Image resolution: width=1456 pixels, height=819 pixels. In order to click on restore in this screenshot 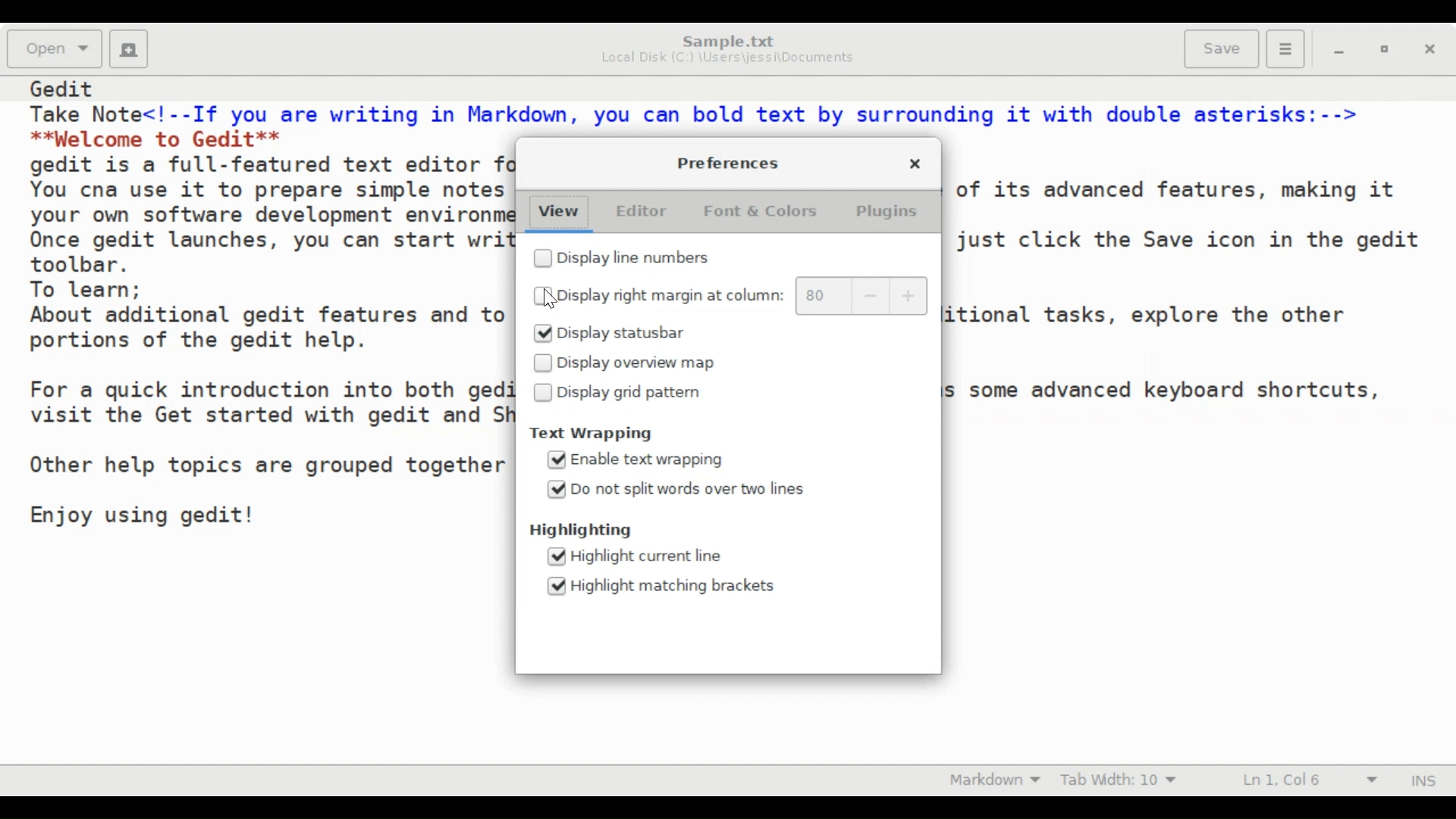, I will do `click(1389, 51)`.